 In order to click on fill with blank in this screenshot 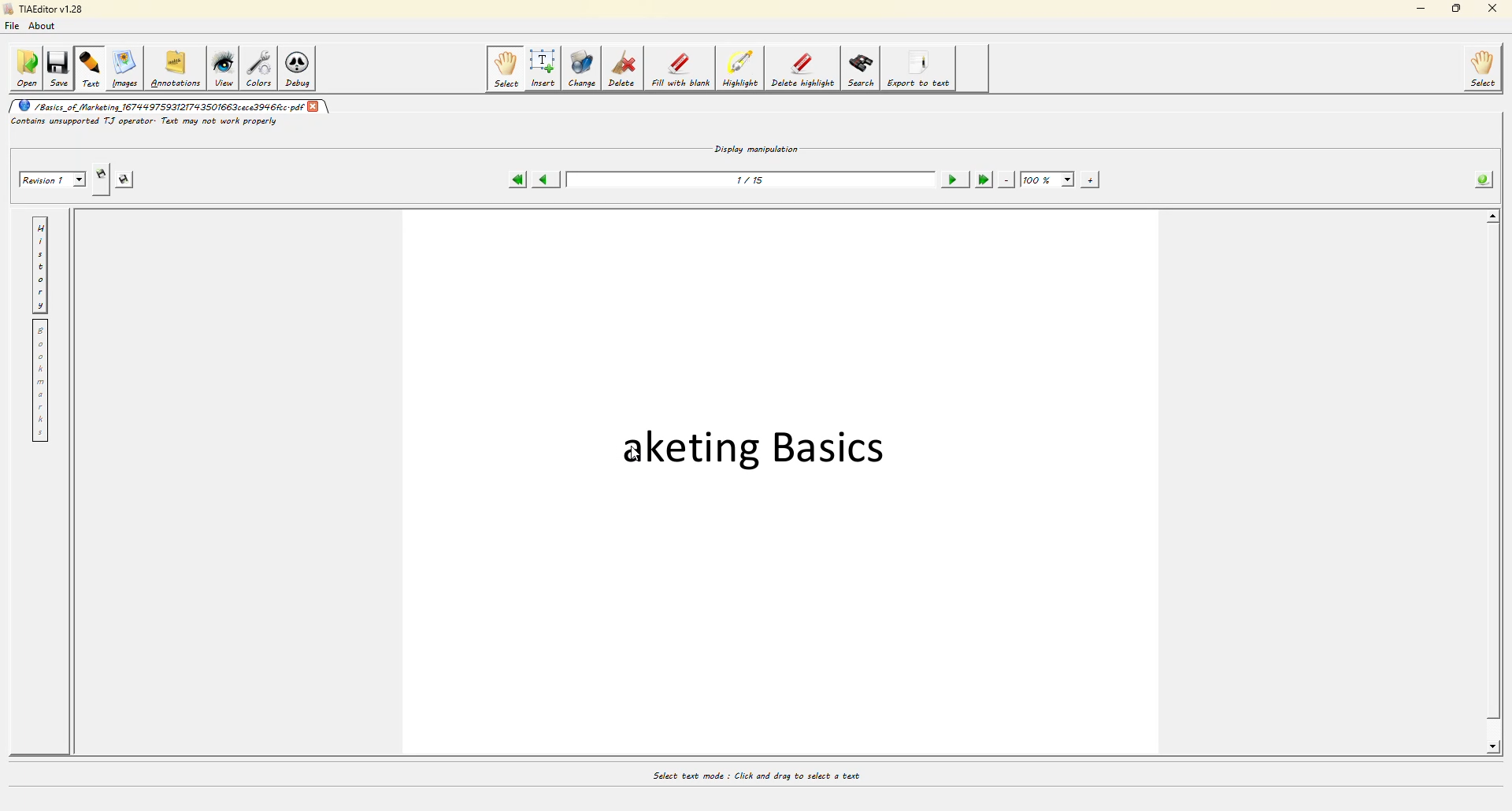, I will do `click(679, 69)`.